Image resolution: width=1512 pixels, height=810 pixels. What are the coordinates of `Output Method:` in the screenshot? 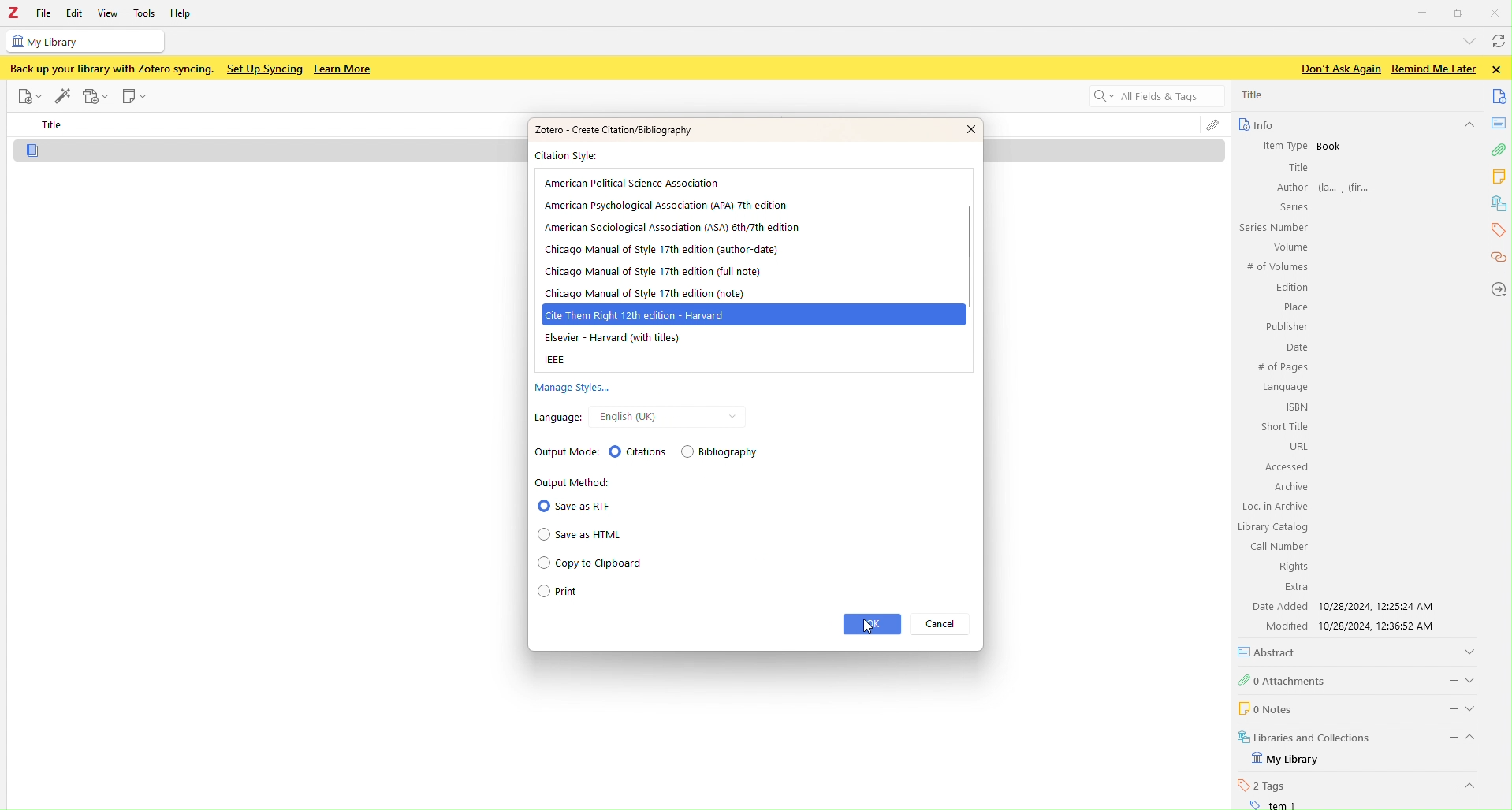 It's located at (574, 482).